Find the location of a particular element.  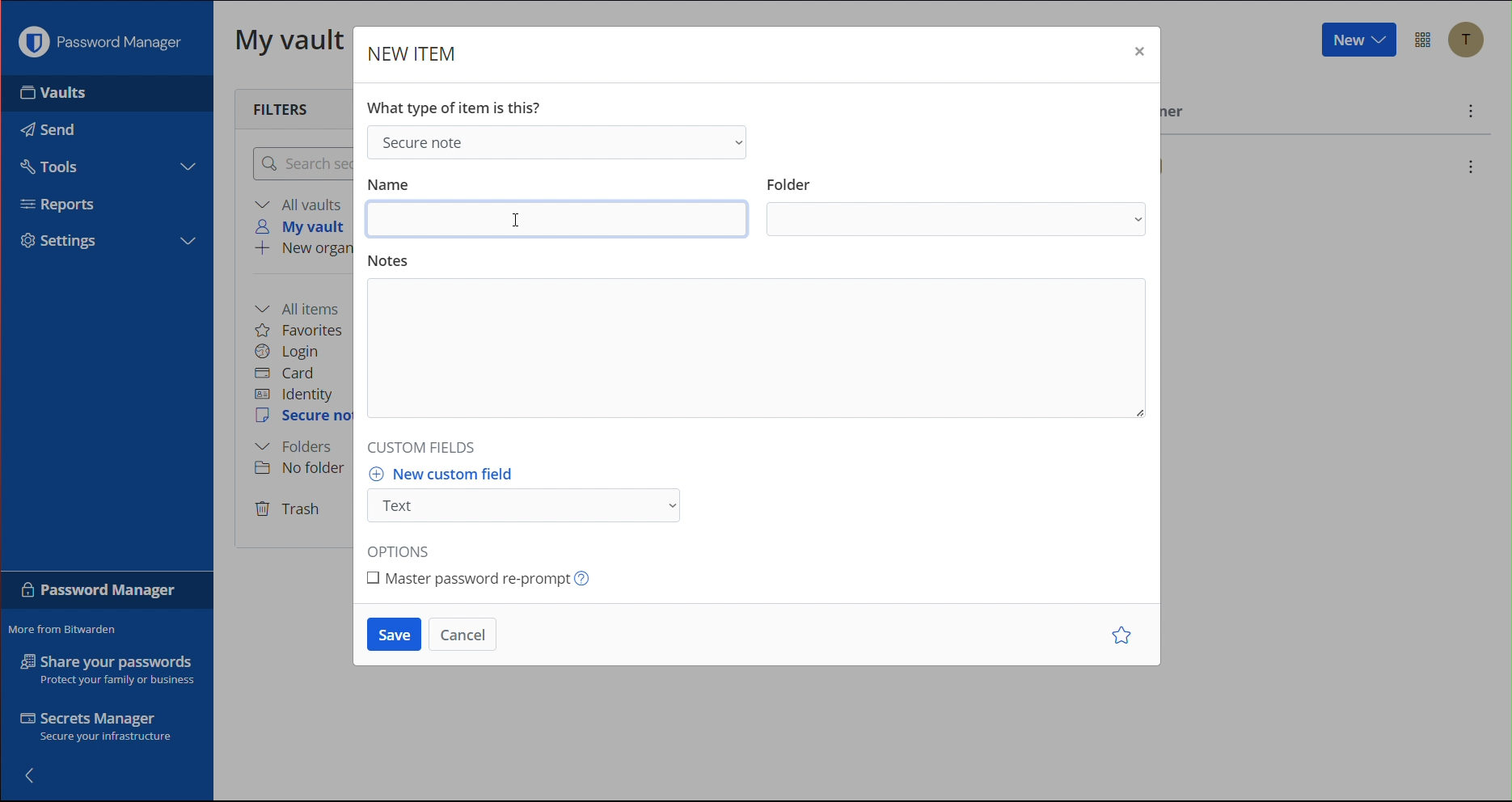

Login is located at coordinates (288, 352).